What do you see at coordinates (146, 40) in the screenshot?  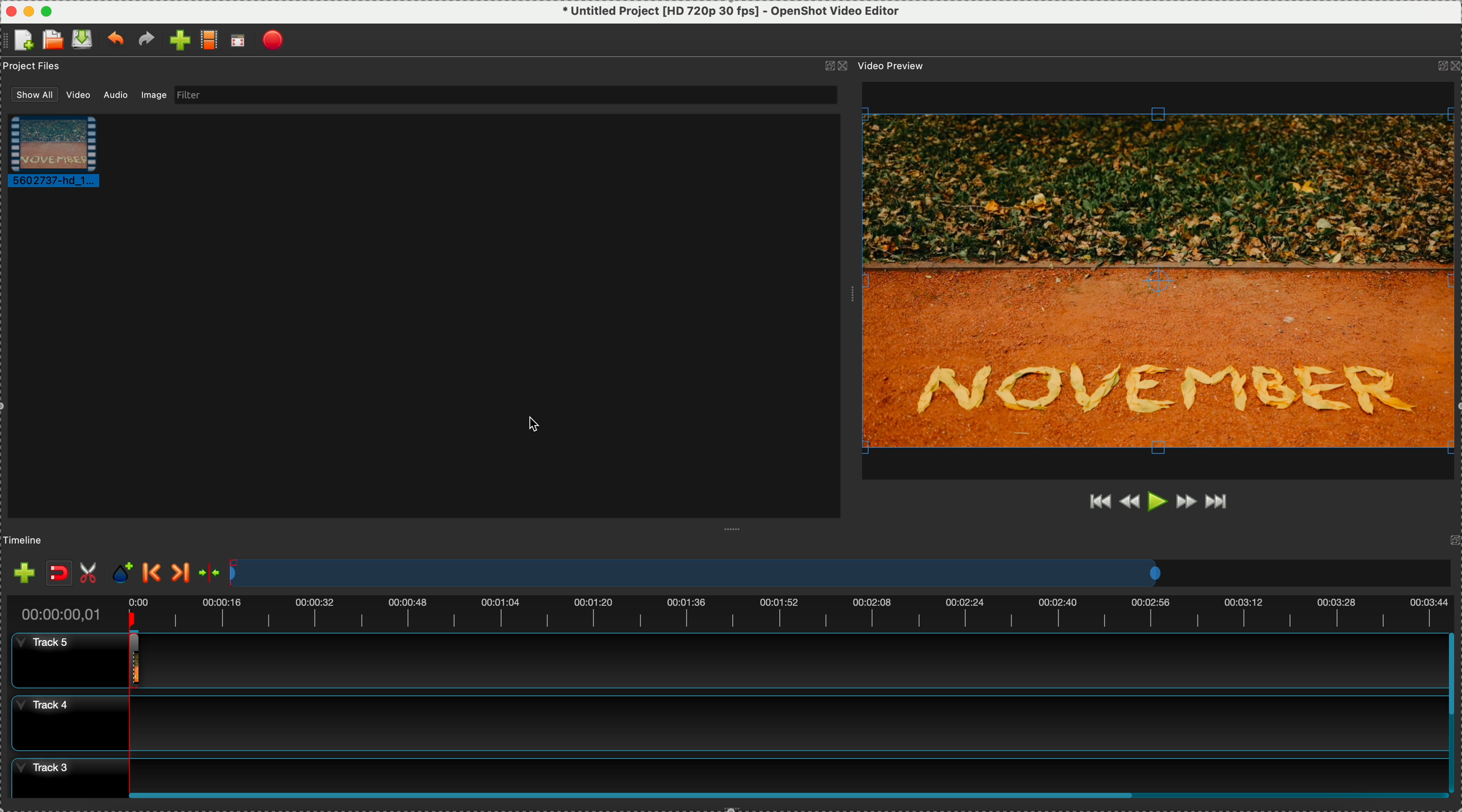 I see `redo` at bounding box center [146, 40].